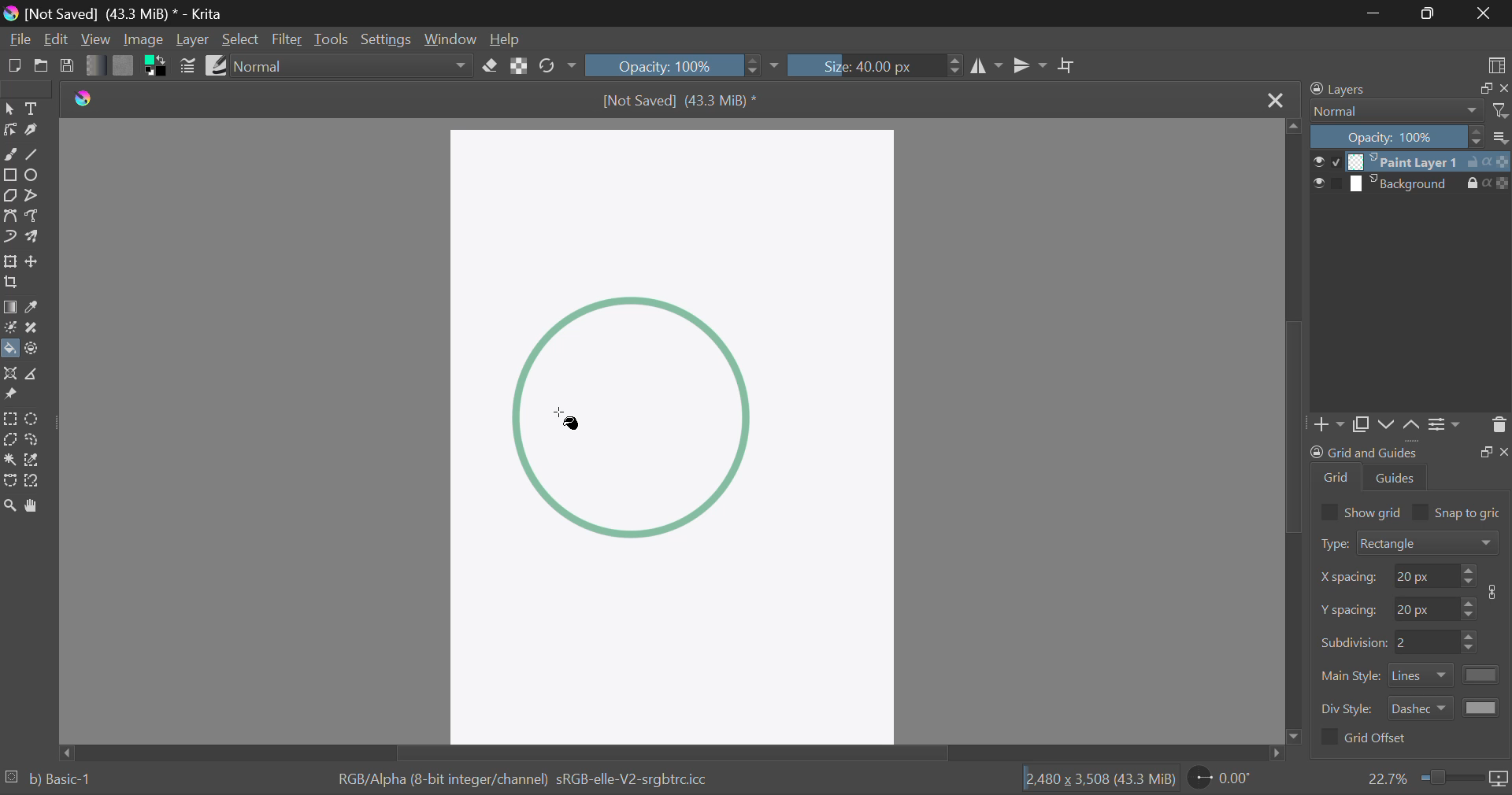 The image size is (1512, 795). I want to click on Pattern, so click(123, 68).